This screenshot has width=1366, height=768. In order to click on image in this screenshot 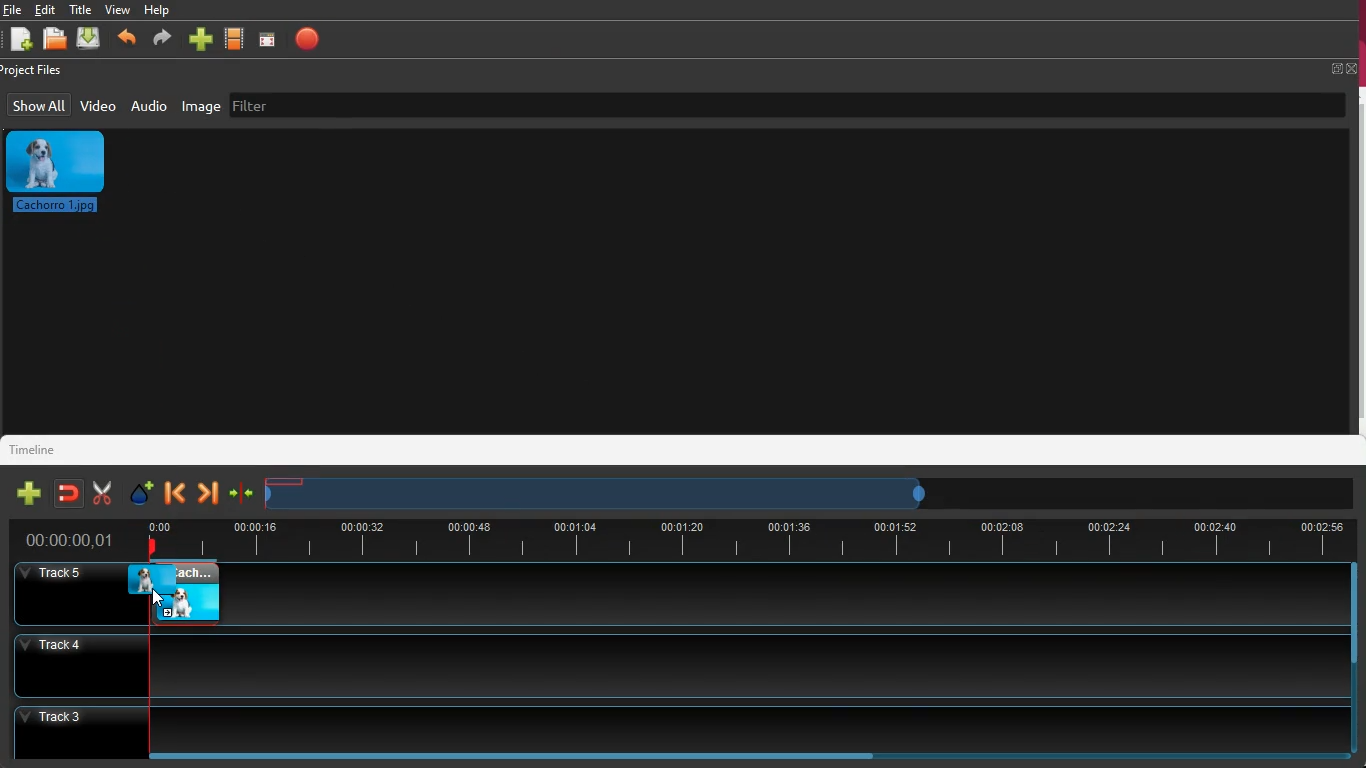, I will do `click(201, 108)`.